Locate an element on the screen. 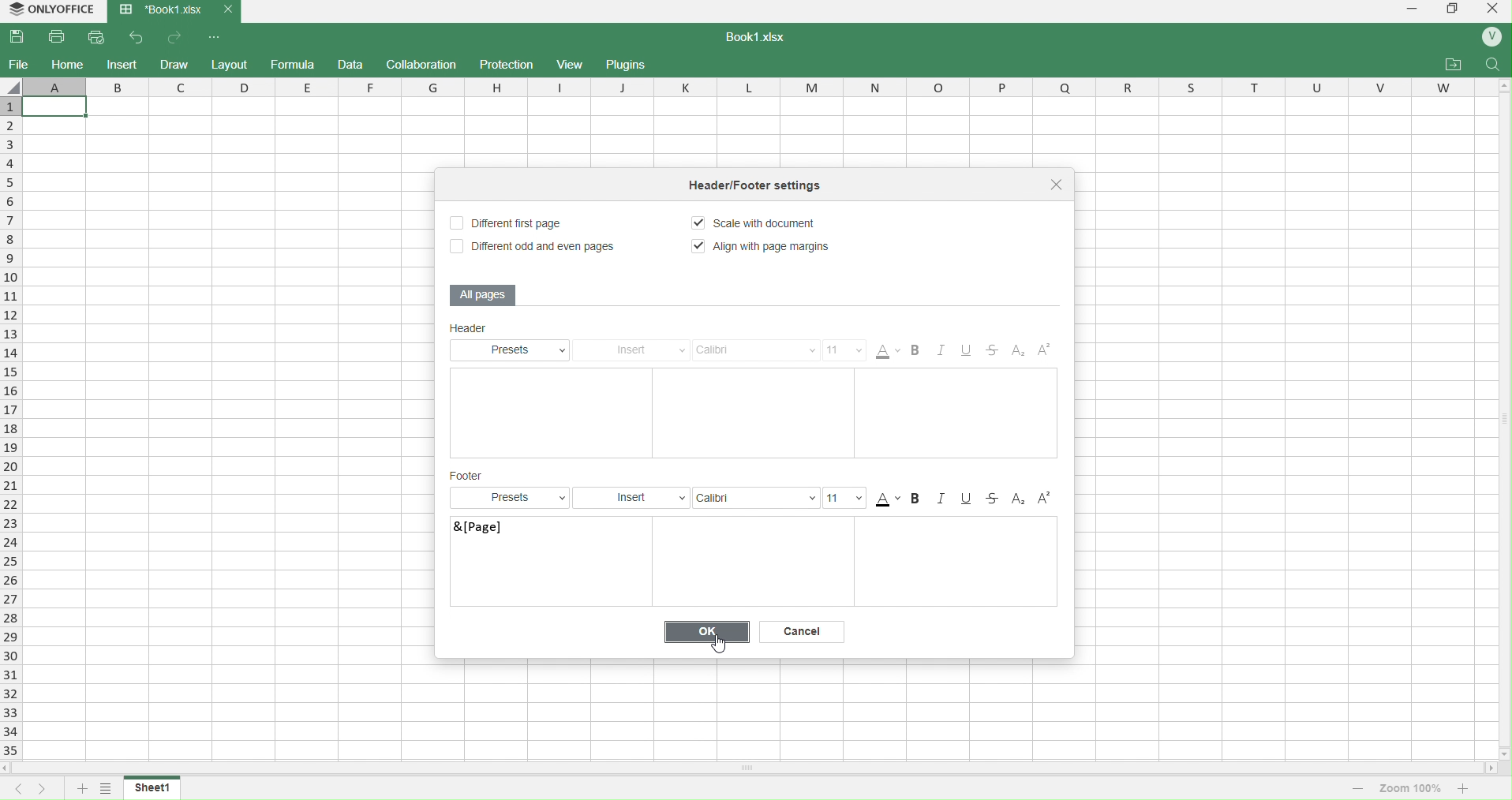 The height and width of the screenshot is (800, 1512). data is located at coordinates (353, 65).